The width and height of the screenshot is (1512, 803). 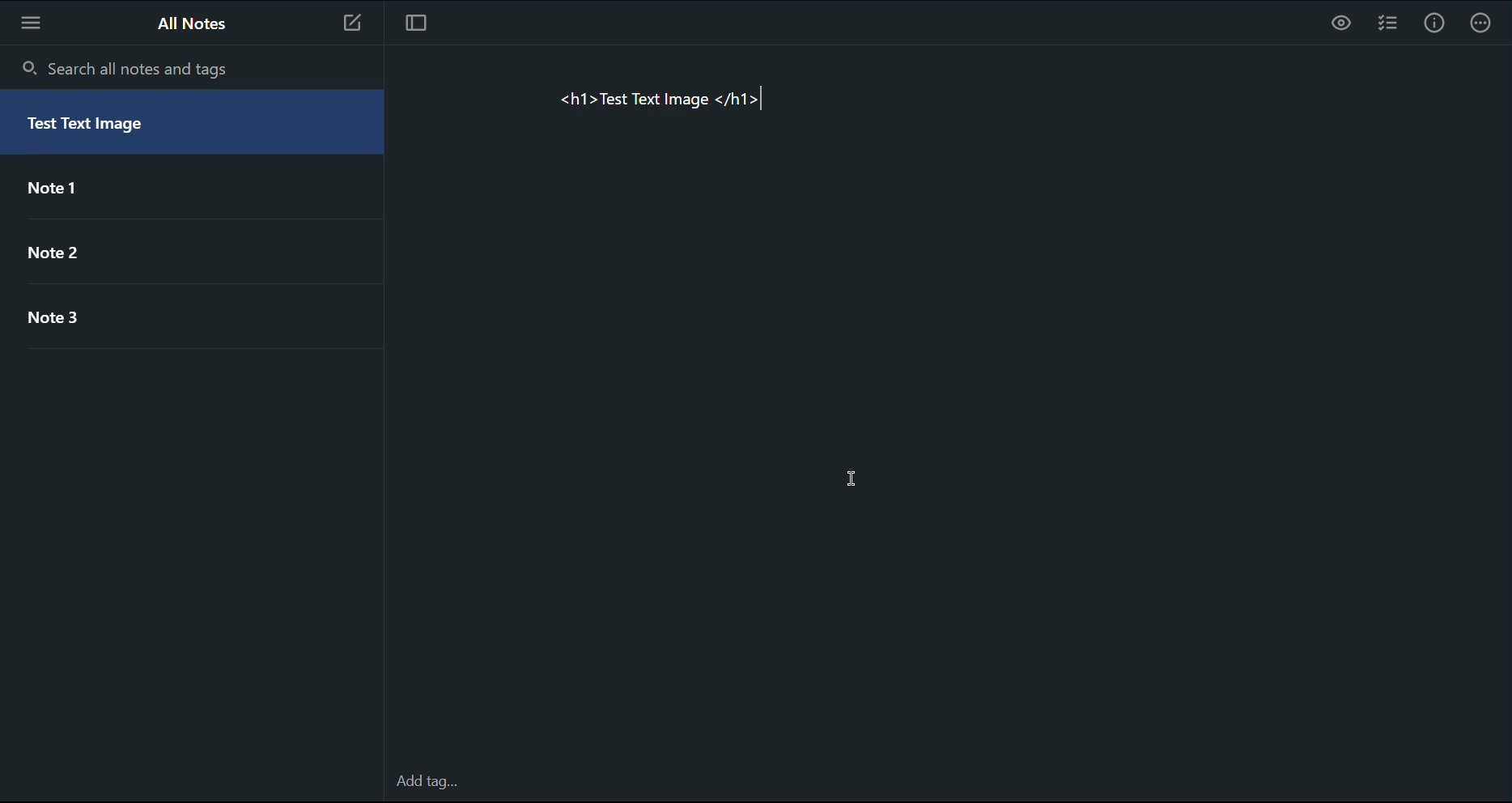 What do you see at coordinates (78, 321) in the screenshot?
I see `Note 3` at bounding box center [78, 321].